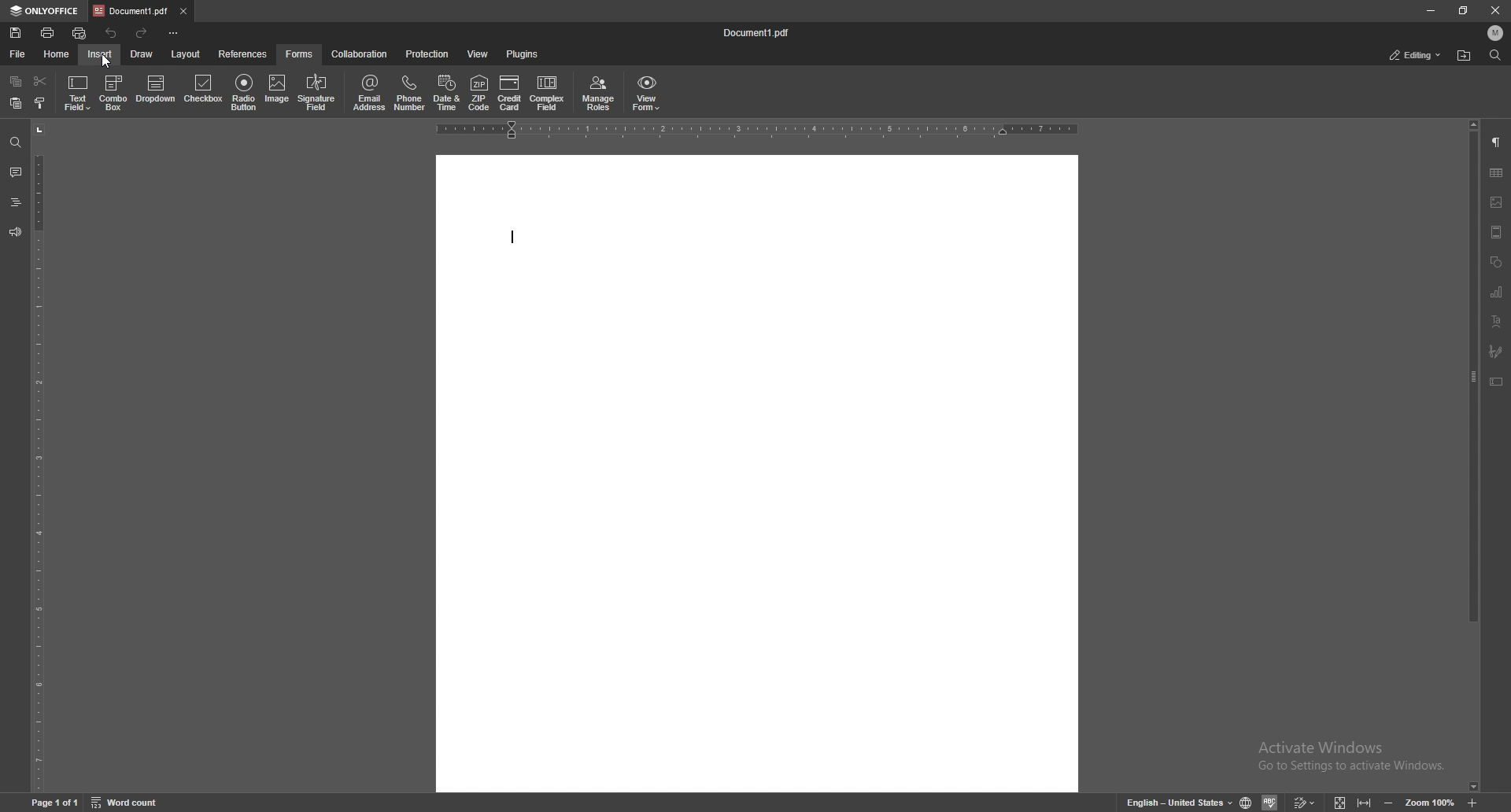  I want to click on layout, so click(186, 54).